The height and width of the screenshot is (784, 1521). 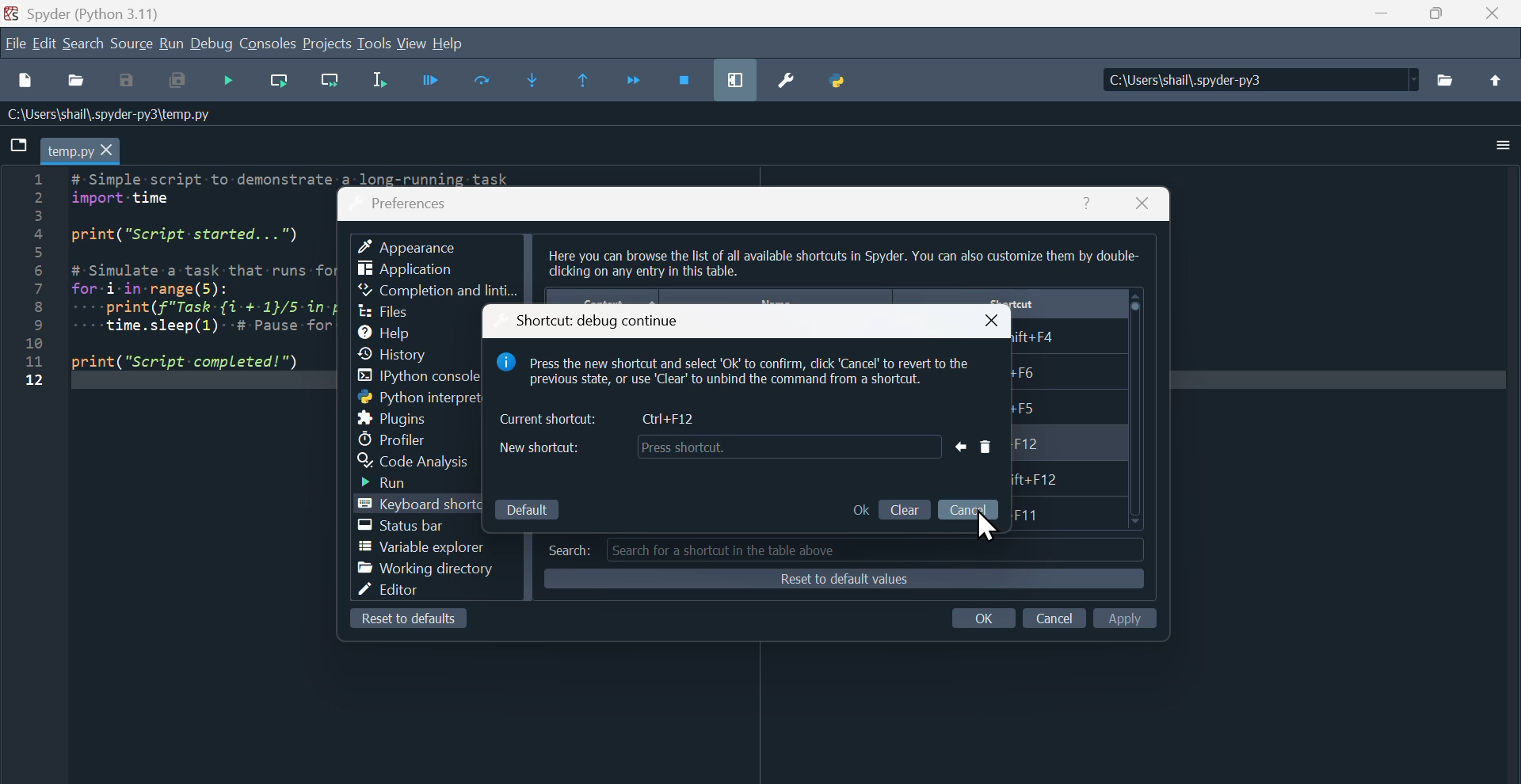 What do you see at coordinates (84, 150) in the screenshot?
I see `Filename` at bounding box center [84, 150].